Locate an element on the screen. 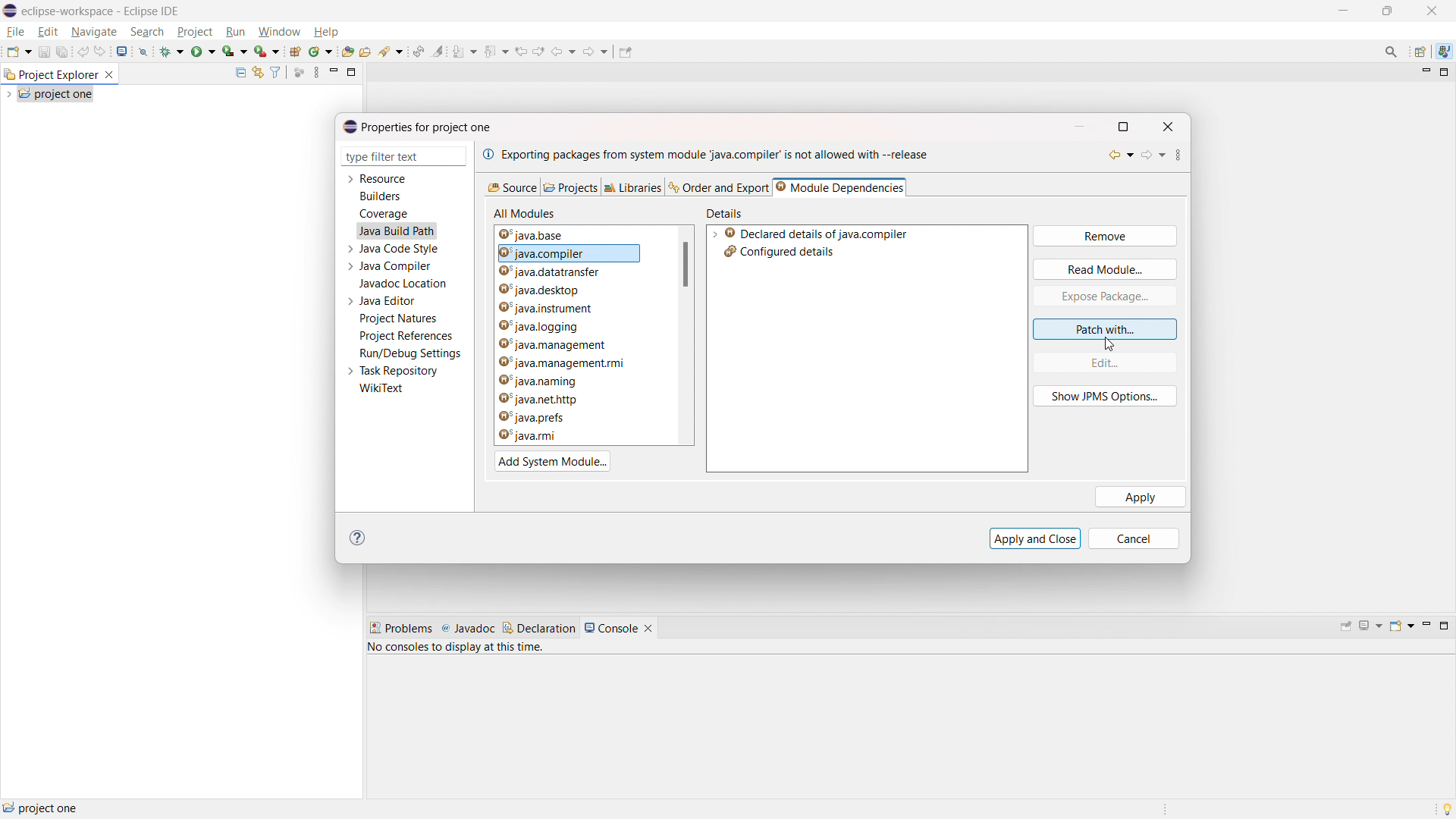 This screenshot has width=1456, height=819. minimize is located at coordinates (1424, 73).